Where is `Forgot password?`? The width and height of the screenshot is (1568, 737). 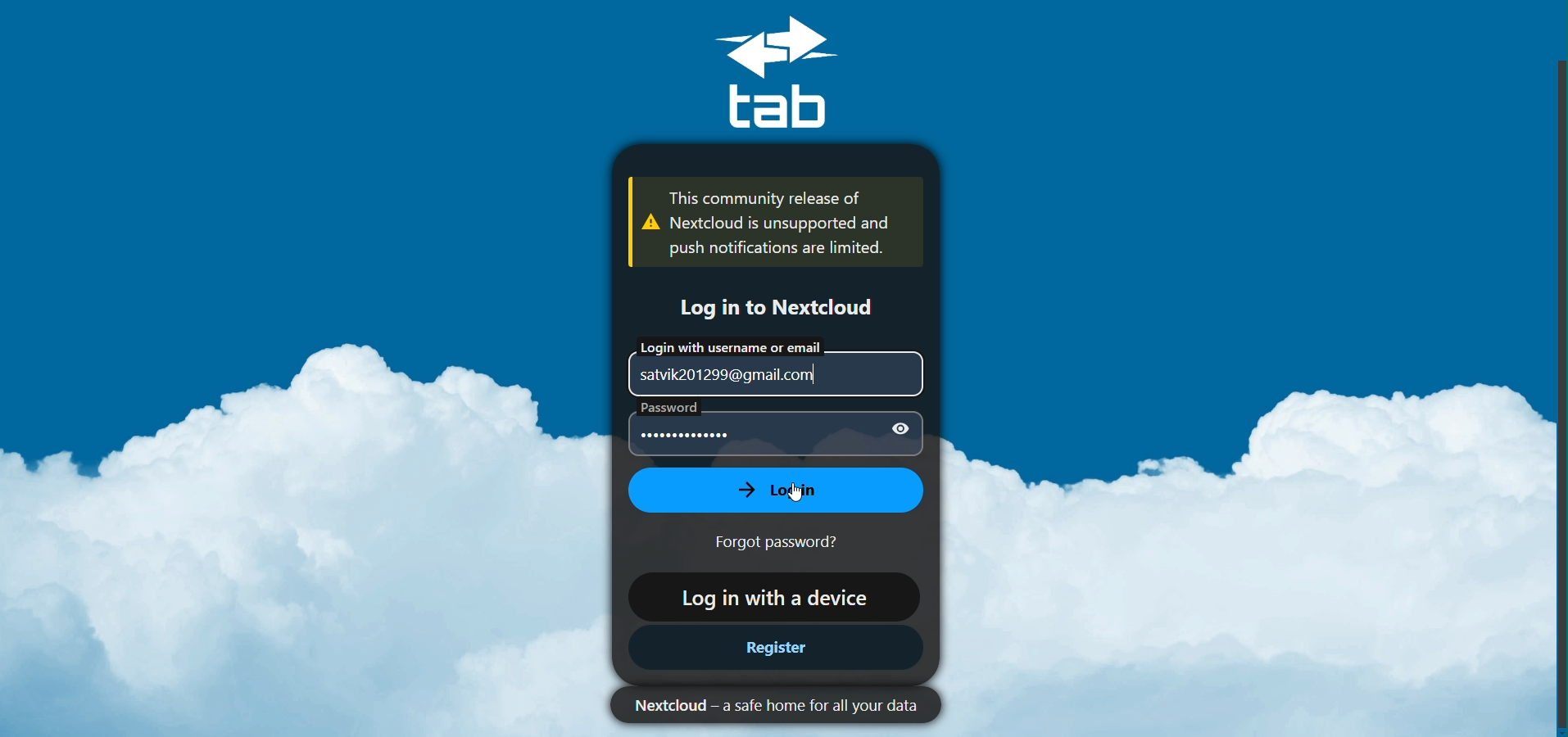 Forgot password? is located at coordinates (788, 542).